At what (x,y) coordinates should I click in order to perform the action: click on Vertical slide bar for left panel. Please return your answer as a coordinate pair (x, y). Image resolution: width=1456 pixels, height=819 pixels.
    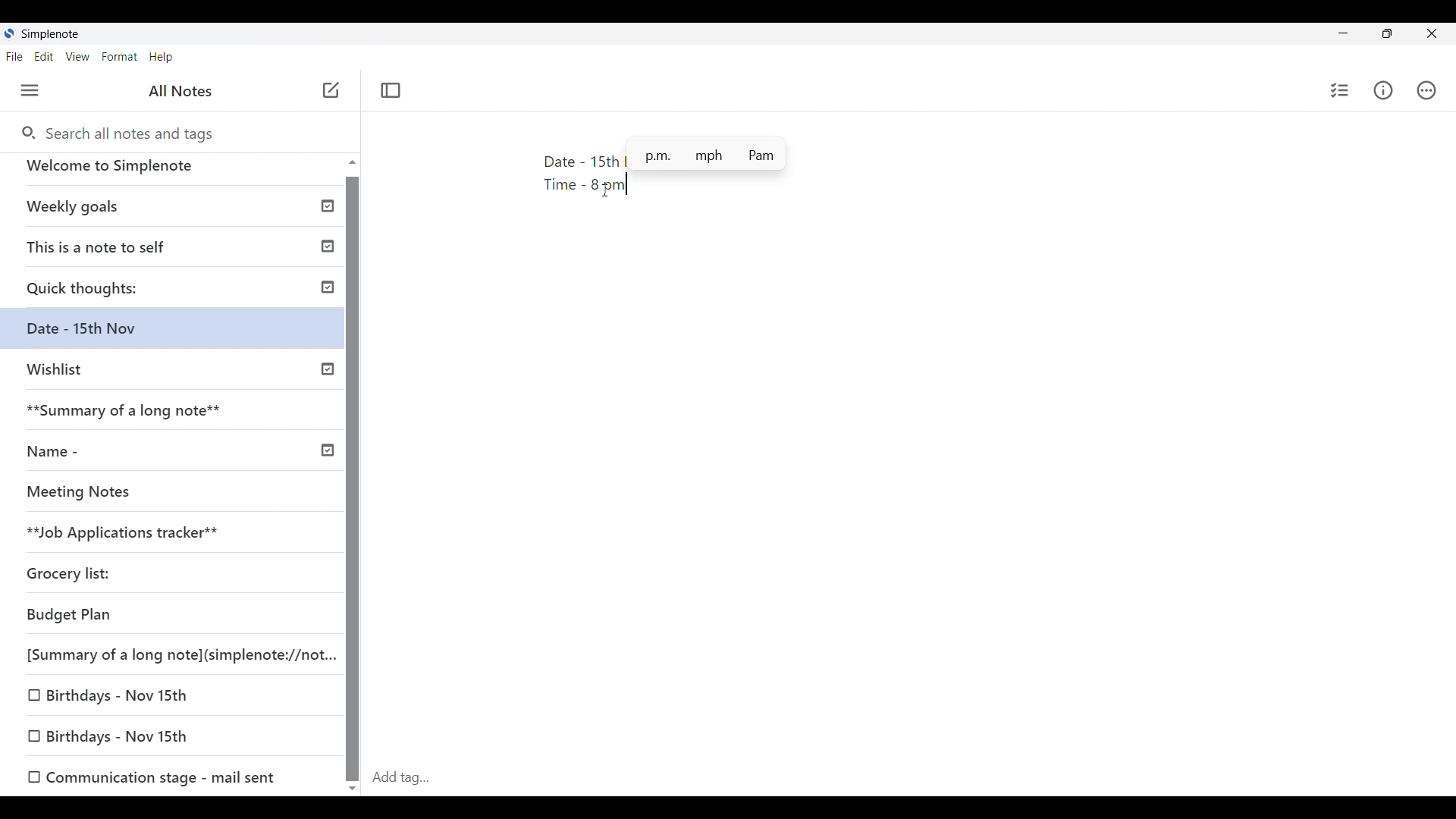
    Looking at the image, I should click on (352, 479).